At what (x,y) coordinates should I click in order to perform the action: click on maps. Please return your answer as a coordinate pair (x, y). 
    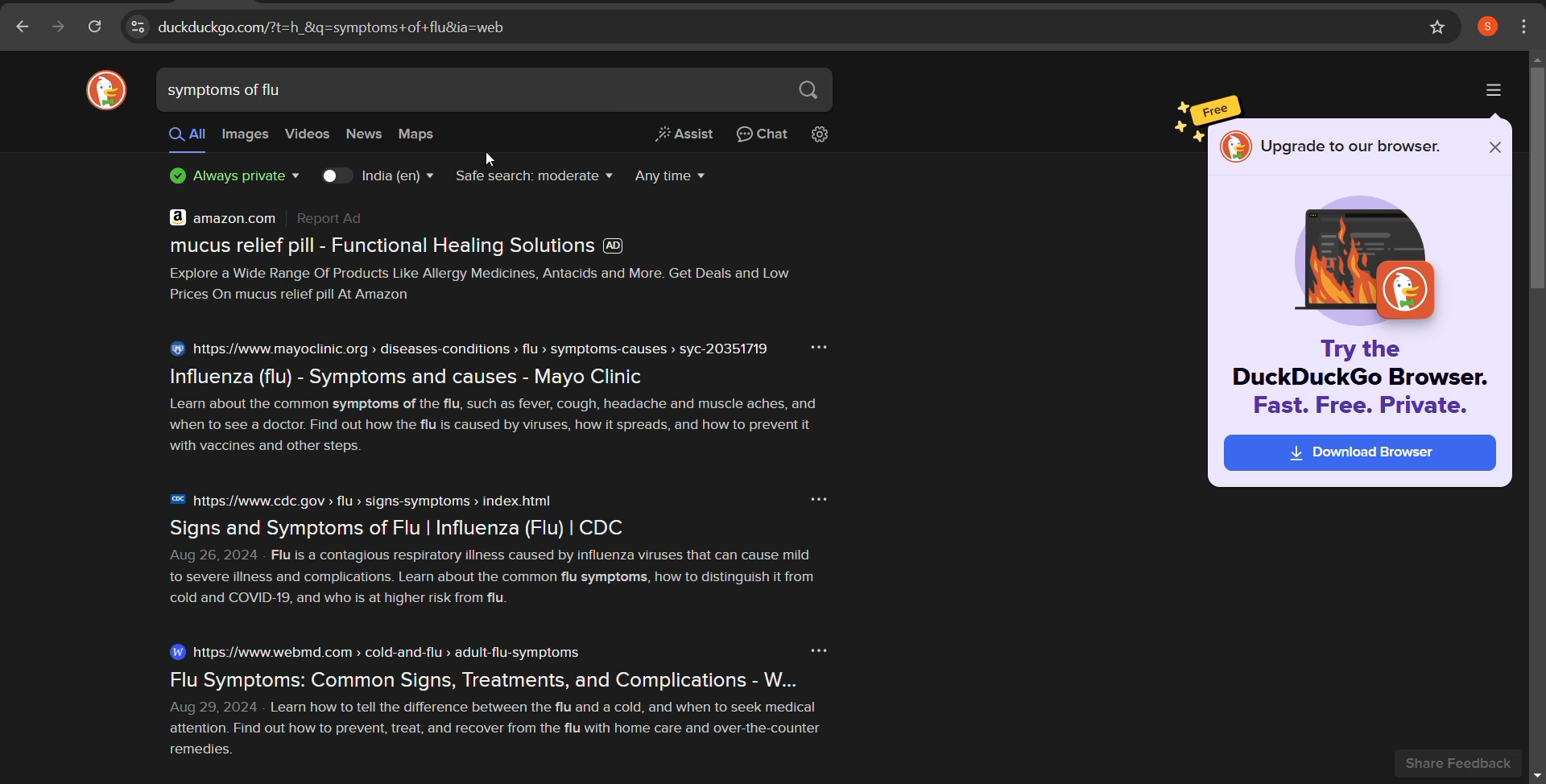
    Looking at the image, I should click on (425, 137).